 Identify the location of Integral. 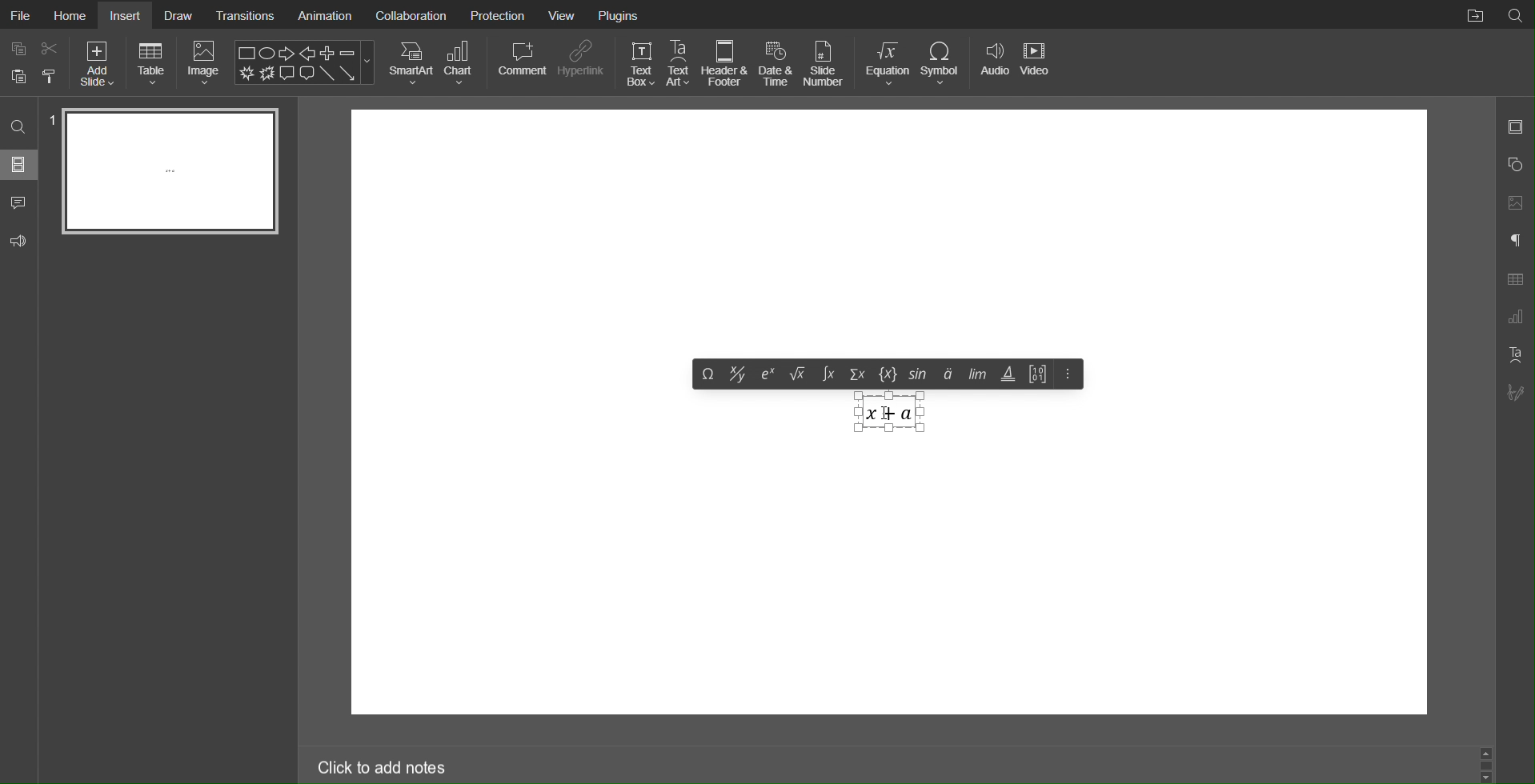
(828, 375).